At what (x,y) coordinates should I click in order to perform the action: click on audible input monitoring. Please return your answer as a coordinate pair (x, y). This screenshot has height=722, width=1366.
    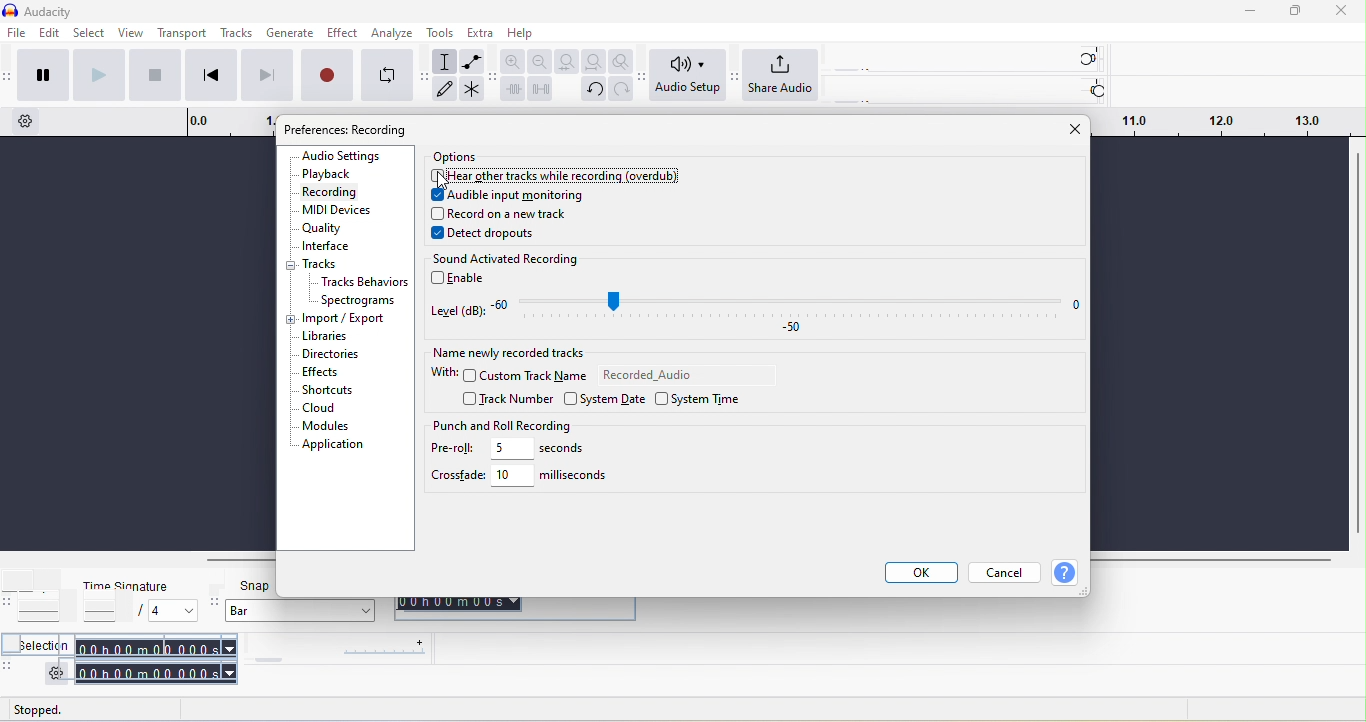
    Looking at the image, I should click on (512, 195).